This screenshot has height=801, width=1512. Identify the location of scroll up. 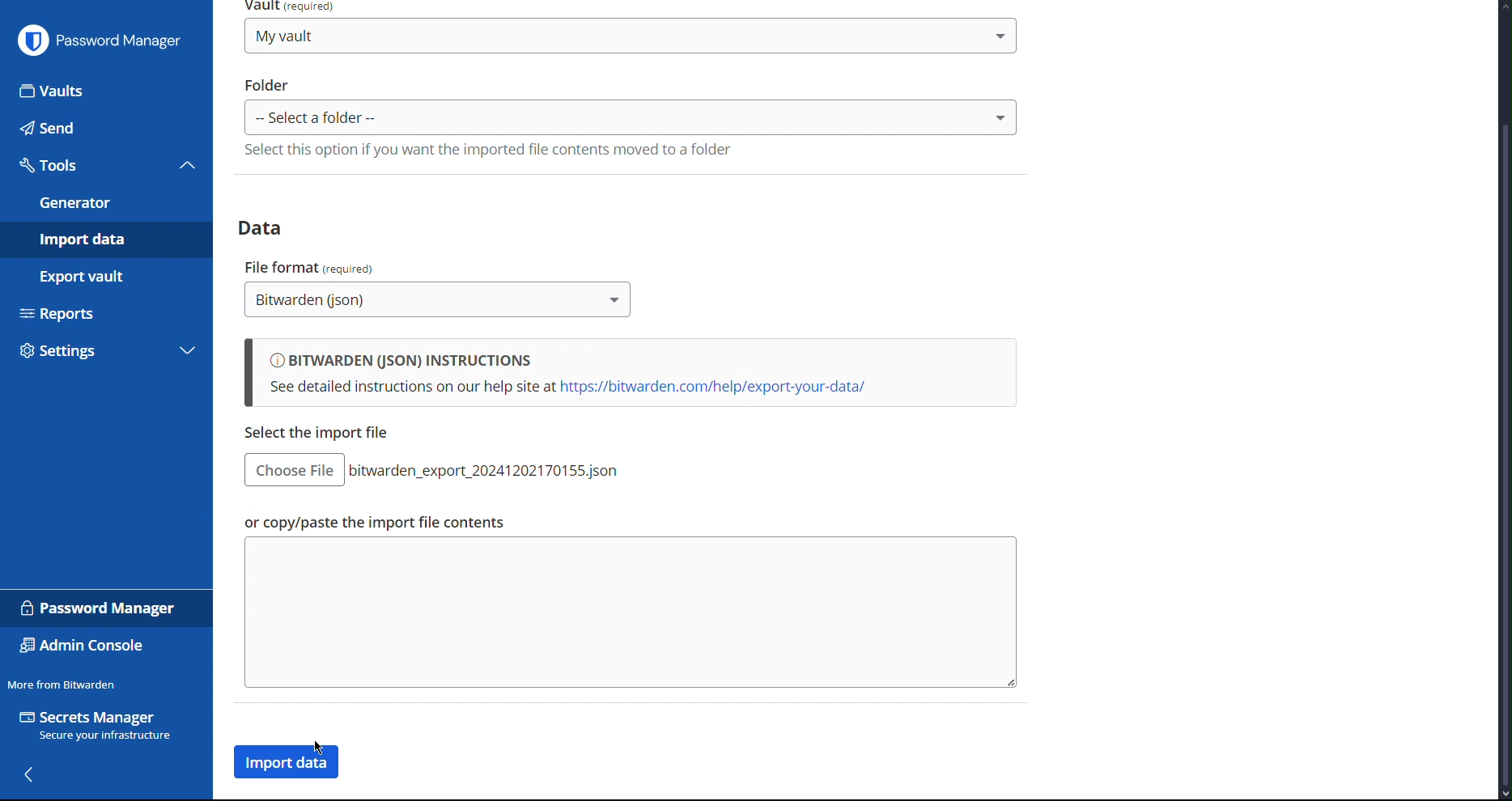
(1502, 6).